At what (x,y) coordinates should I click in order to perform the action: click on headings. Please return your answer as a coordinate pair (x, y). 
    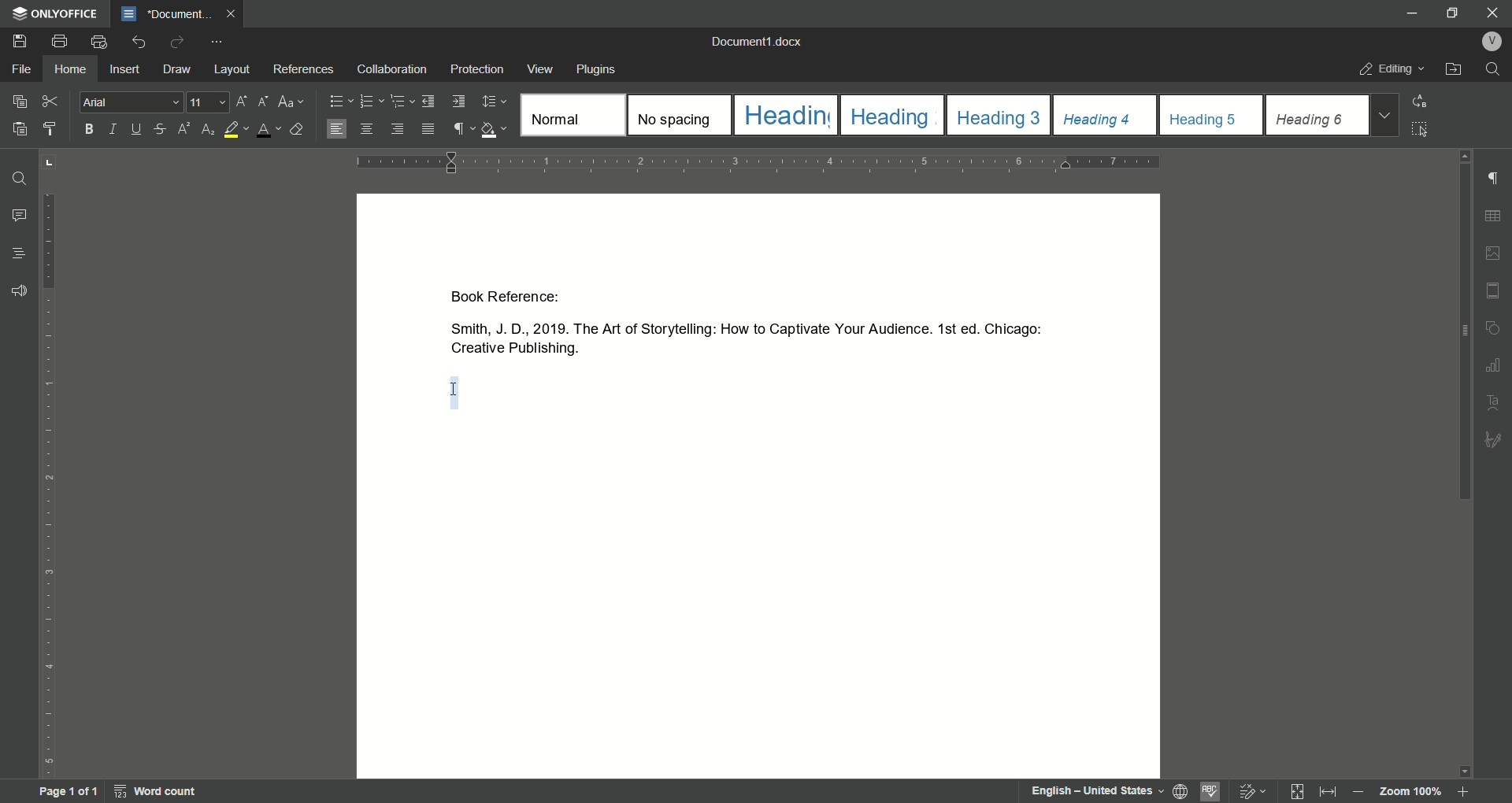
    Looking at the image, I should click on (999, 115).